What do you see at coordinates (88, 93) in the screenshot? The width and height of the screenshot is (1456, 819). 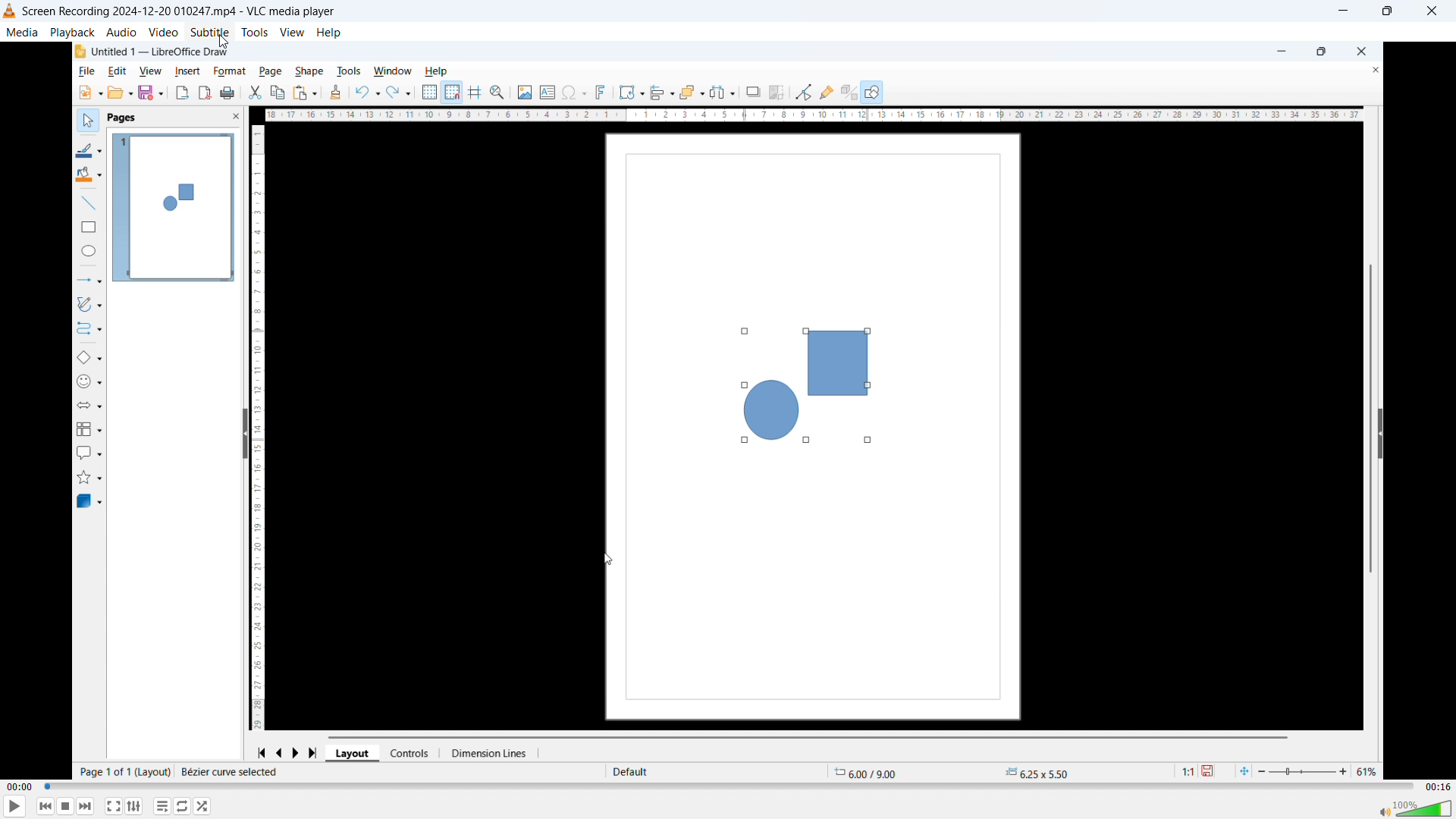 I see `new` at bounding box center [88, 93].